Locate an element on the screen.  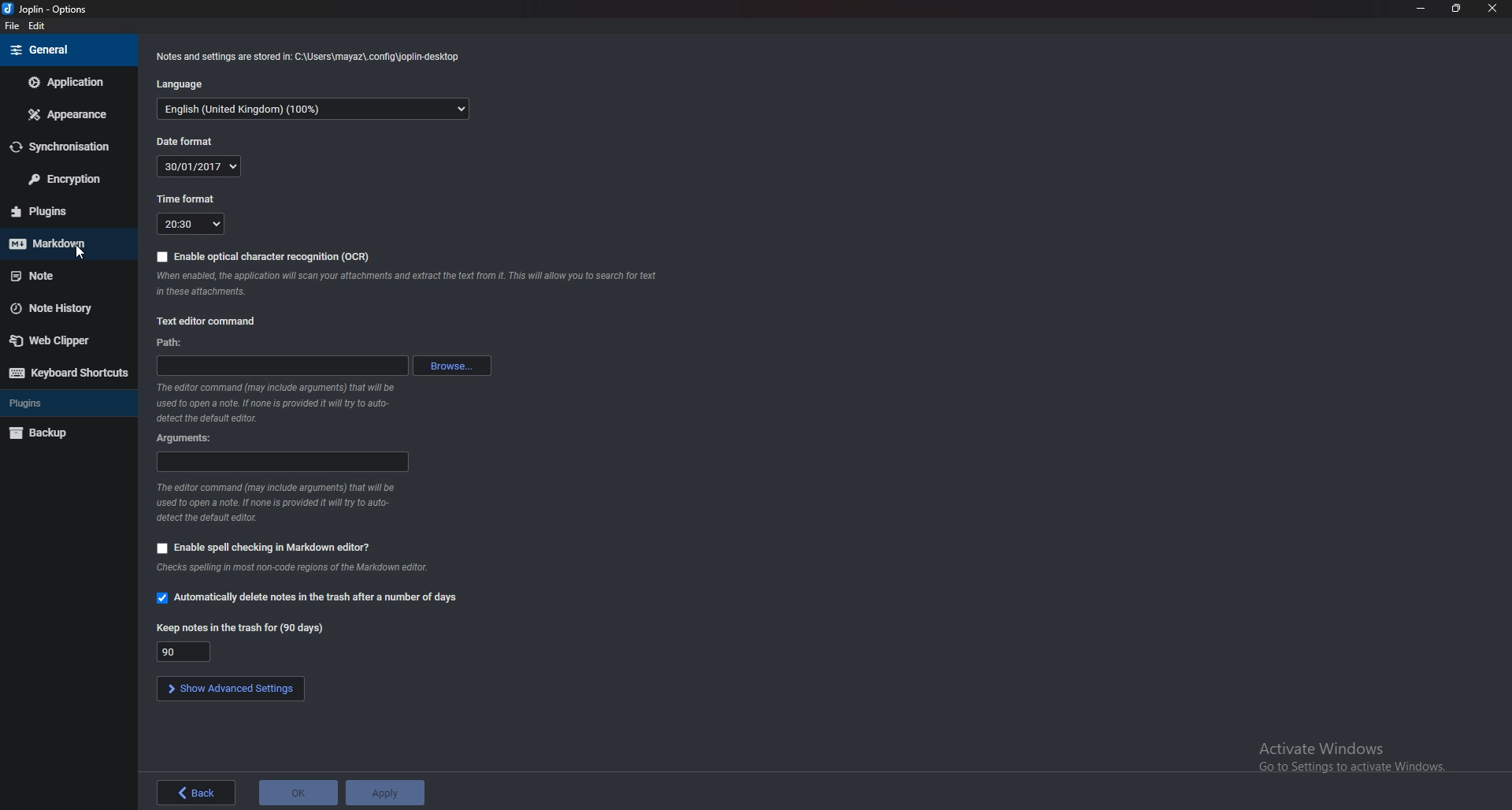
apply is located at coordinates (385, 793).